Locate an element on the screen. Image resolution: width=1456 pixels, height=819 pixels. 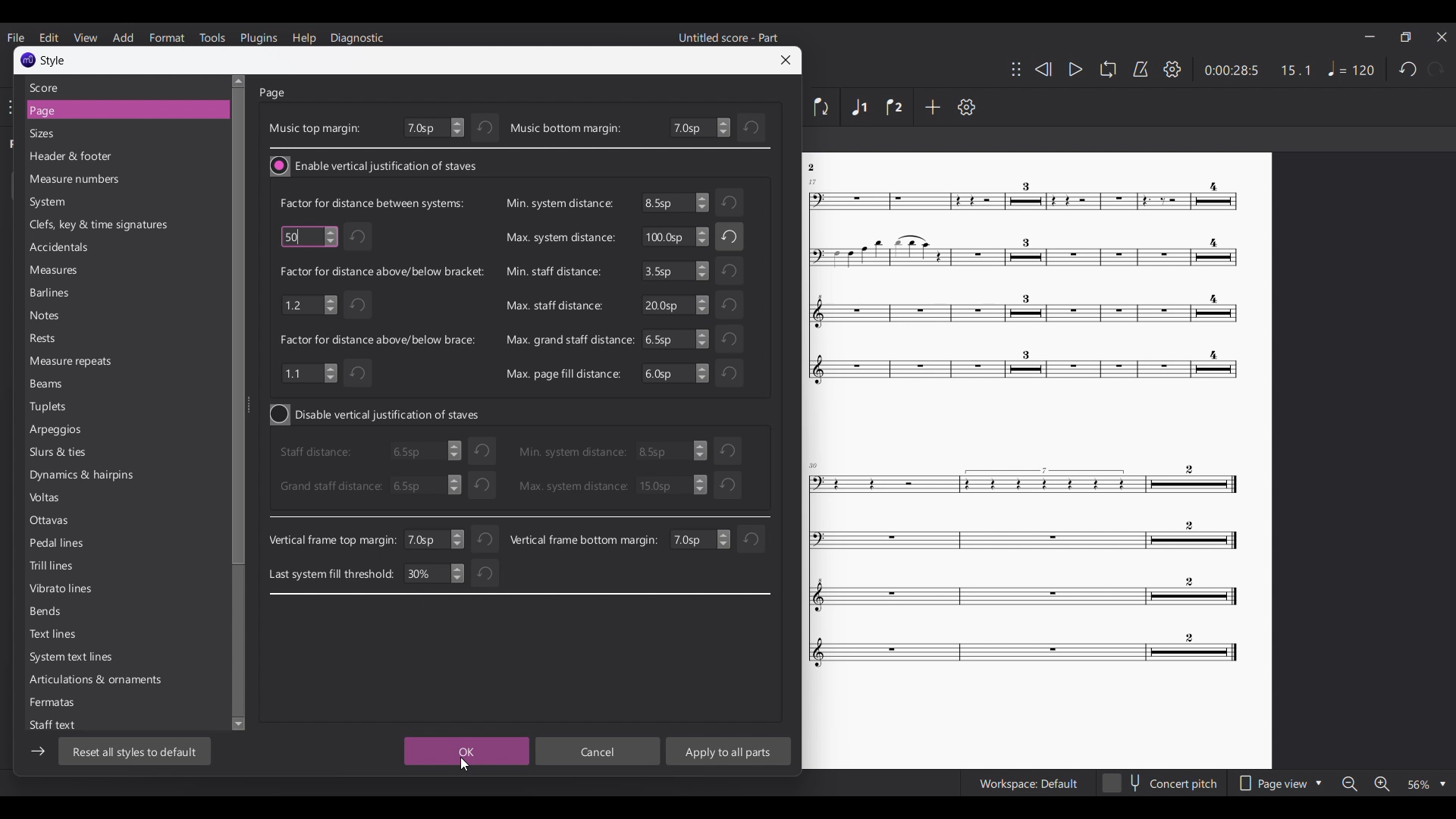
Indicates factor for distance between systems is located at coordinates (371, 202).